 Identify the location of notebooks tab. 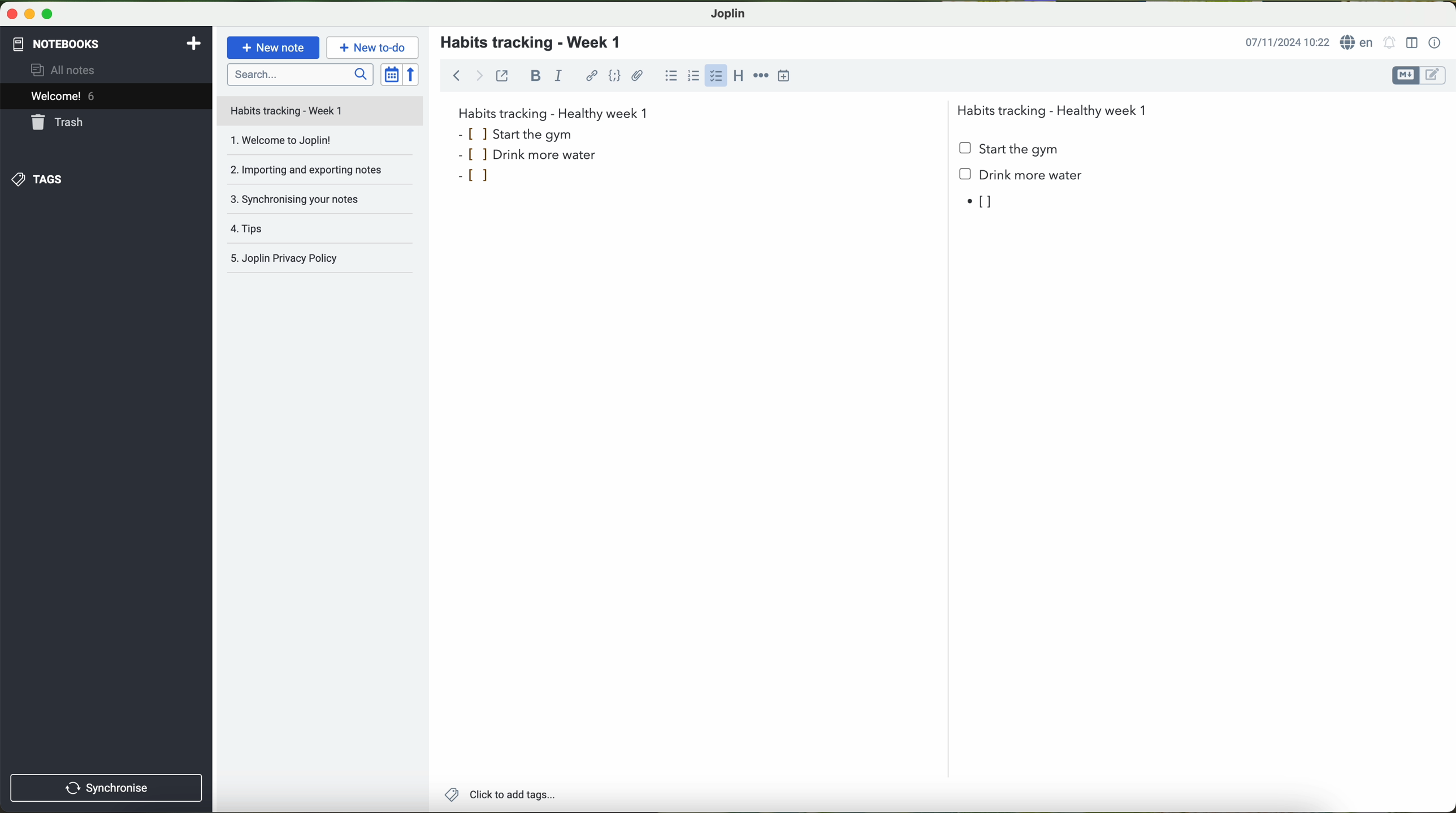
(108, 44).